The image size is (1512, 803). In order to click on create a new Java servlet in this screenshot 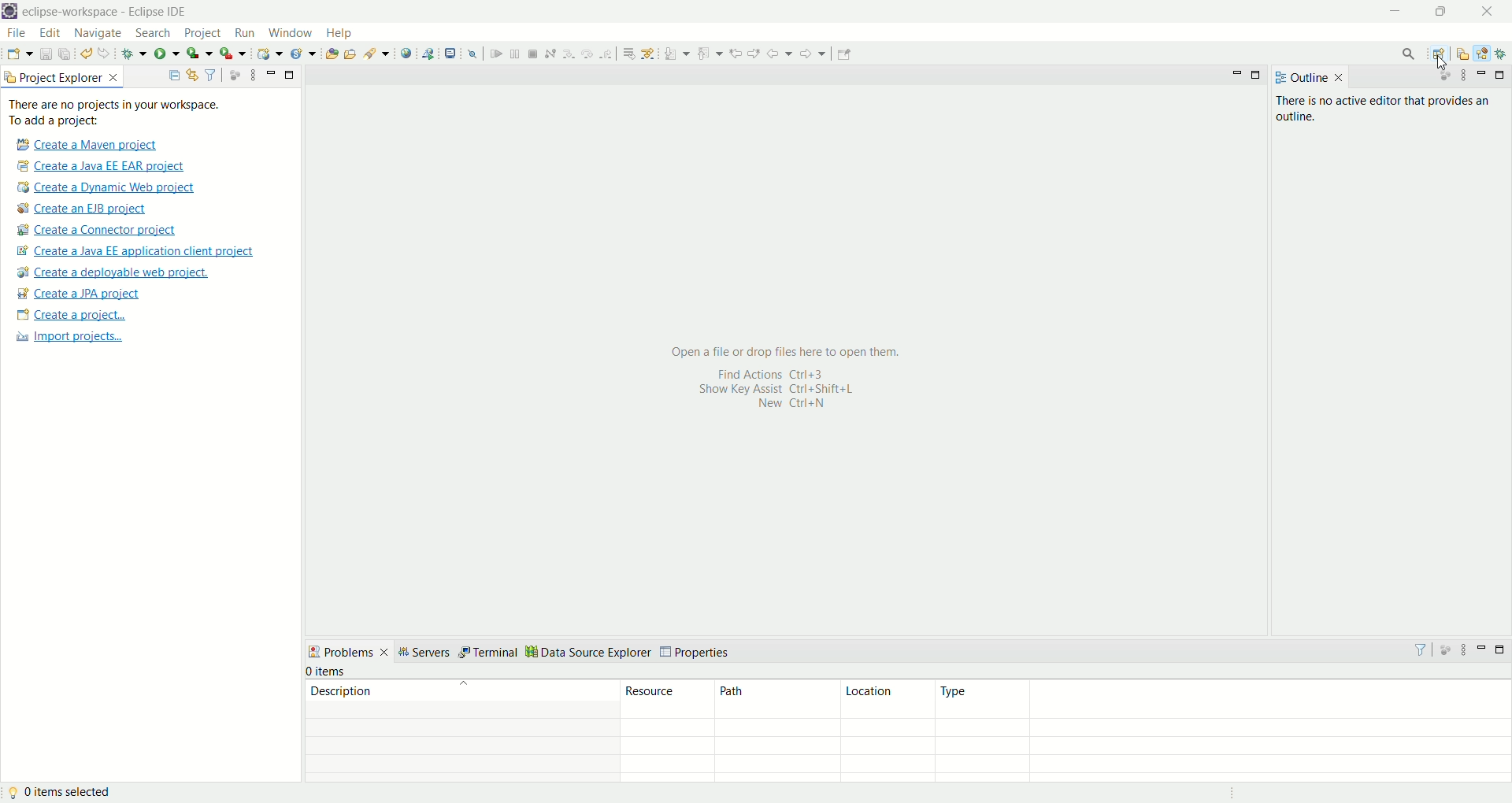, I will do `click(302, 54)`.